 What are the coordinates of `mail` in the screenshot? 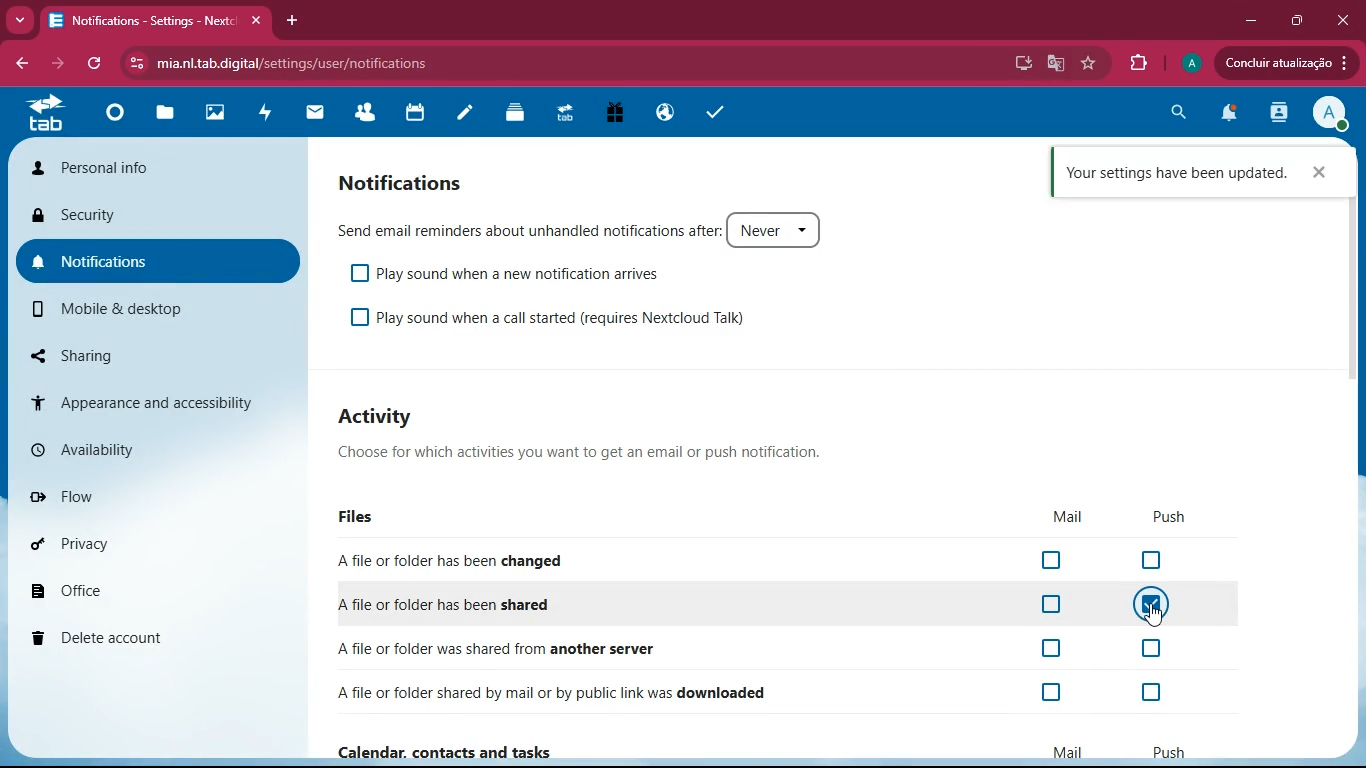 It's located at (310, 114).